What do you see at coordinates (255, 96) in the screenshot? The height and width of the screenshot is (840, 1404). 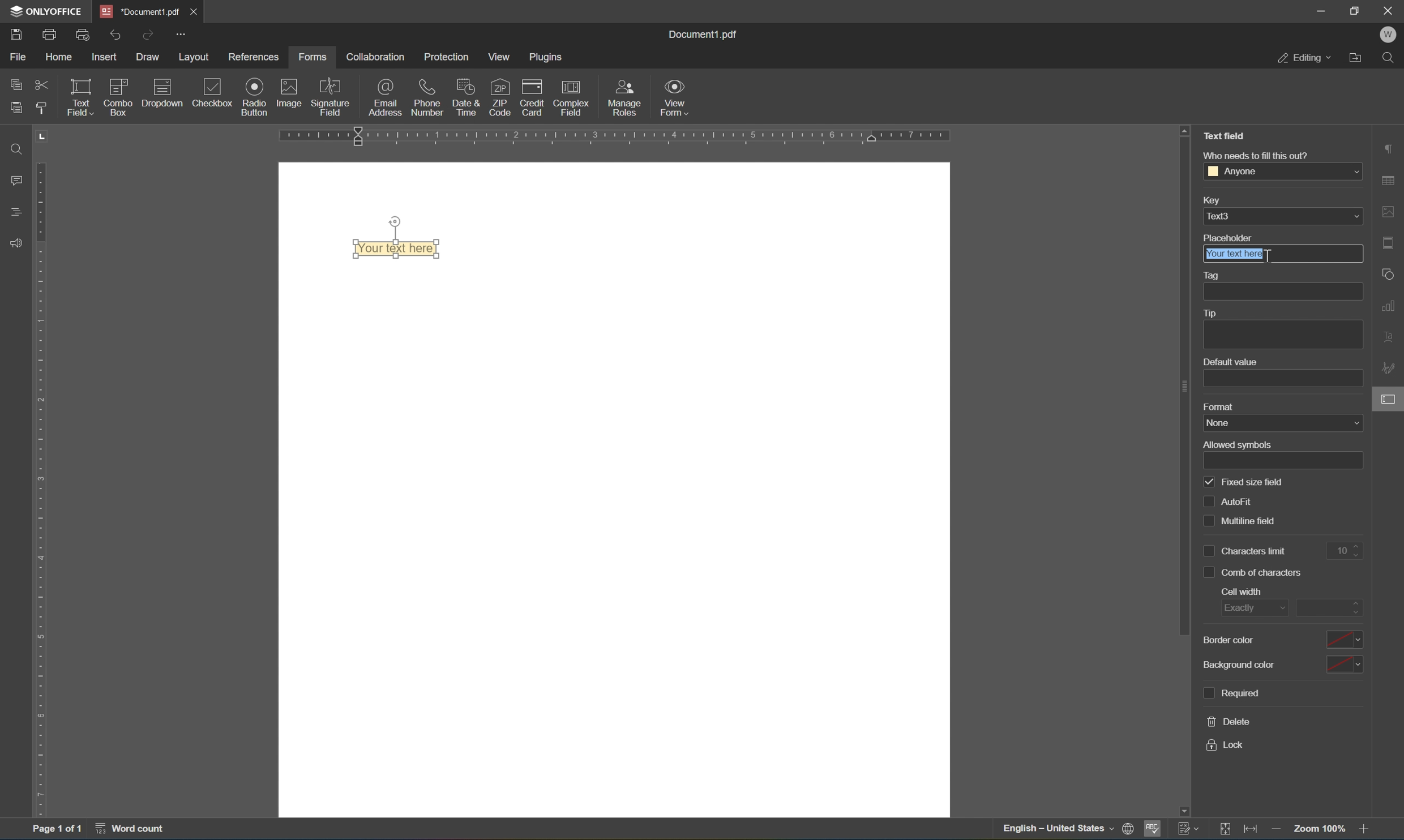 I see `radio button` at bounding box center [255, 96].